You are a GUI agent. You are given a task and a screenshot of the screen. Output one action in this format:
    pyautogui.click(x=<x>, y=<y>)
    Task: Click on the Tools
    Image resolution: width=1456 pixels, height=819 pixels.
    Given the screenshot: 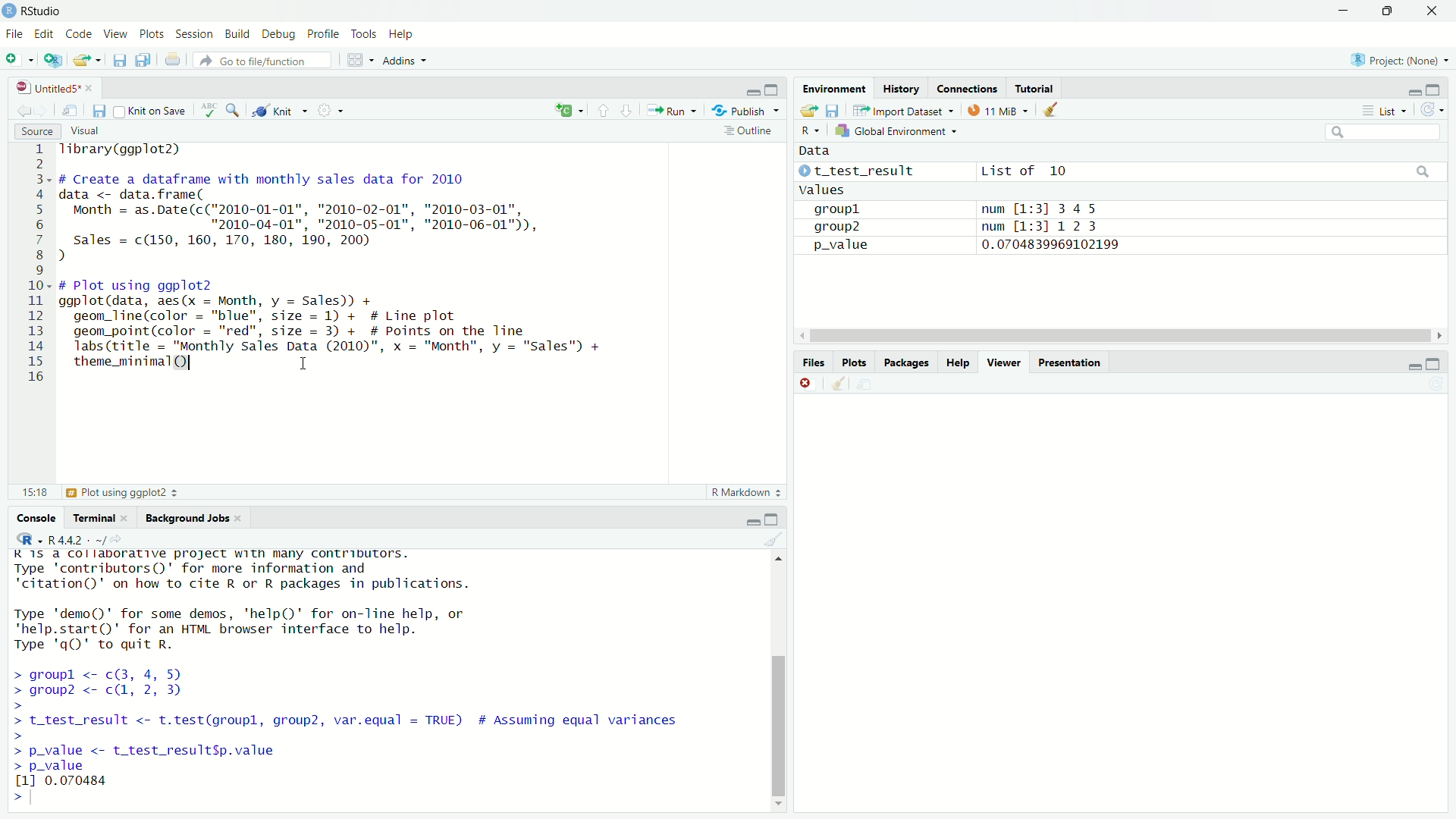 What is the action you would take?
    pyautogui.click(x=364, y=31)
    